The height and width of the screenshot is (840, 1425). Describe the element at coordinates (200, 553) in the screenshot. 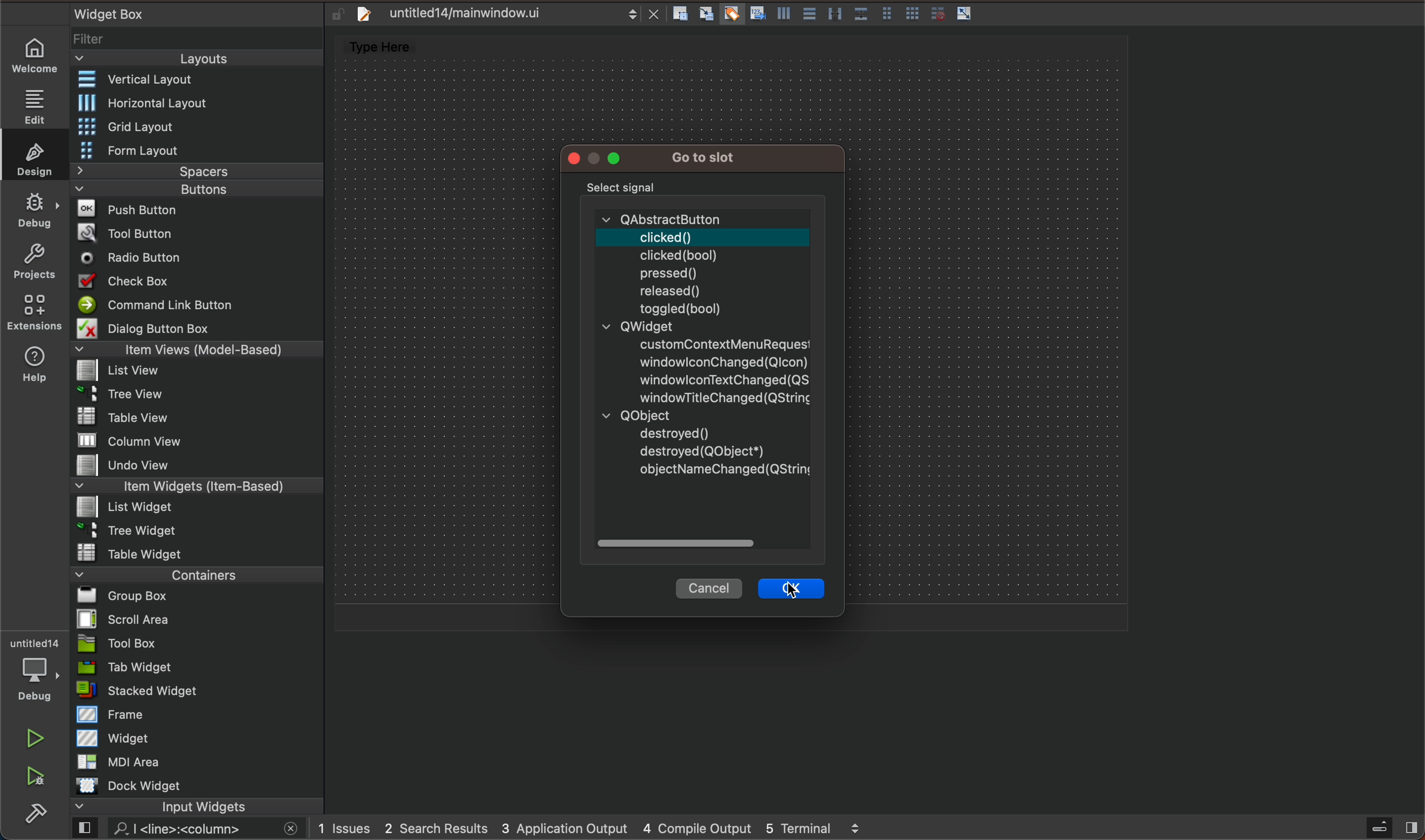

I see `table widget` at that location.